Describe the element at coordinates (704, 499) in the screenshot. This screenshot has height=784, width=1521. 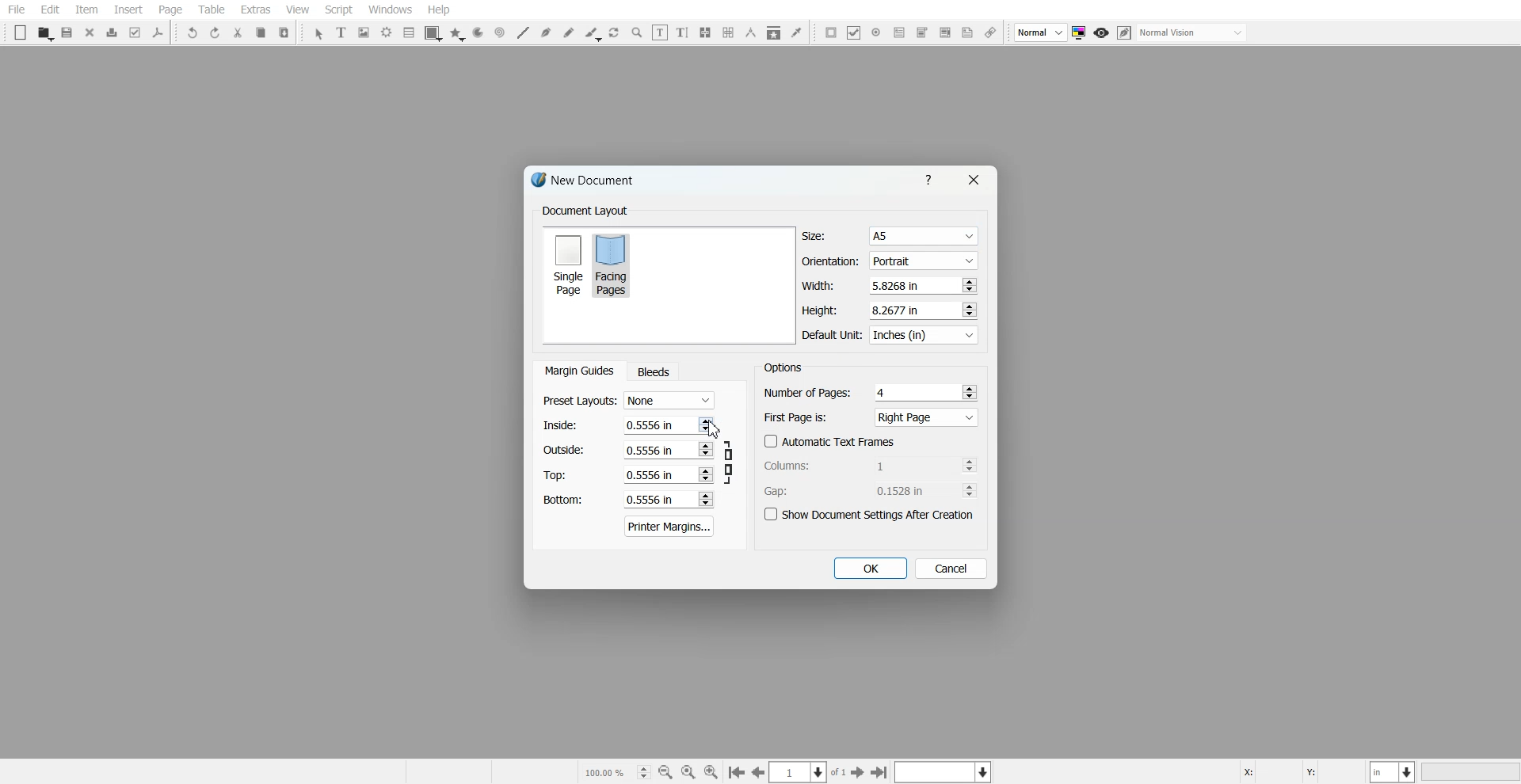
I see `Increase and decrease No. ` at that location.